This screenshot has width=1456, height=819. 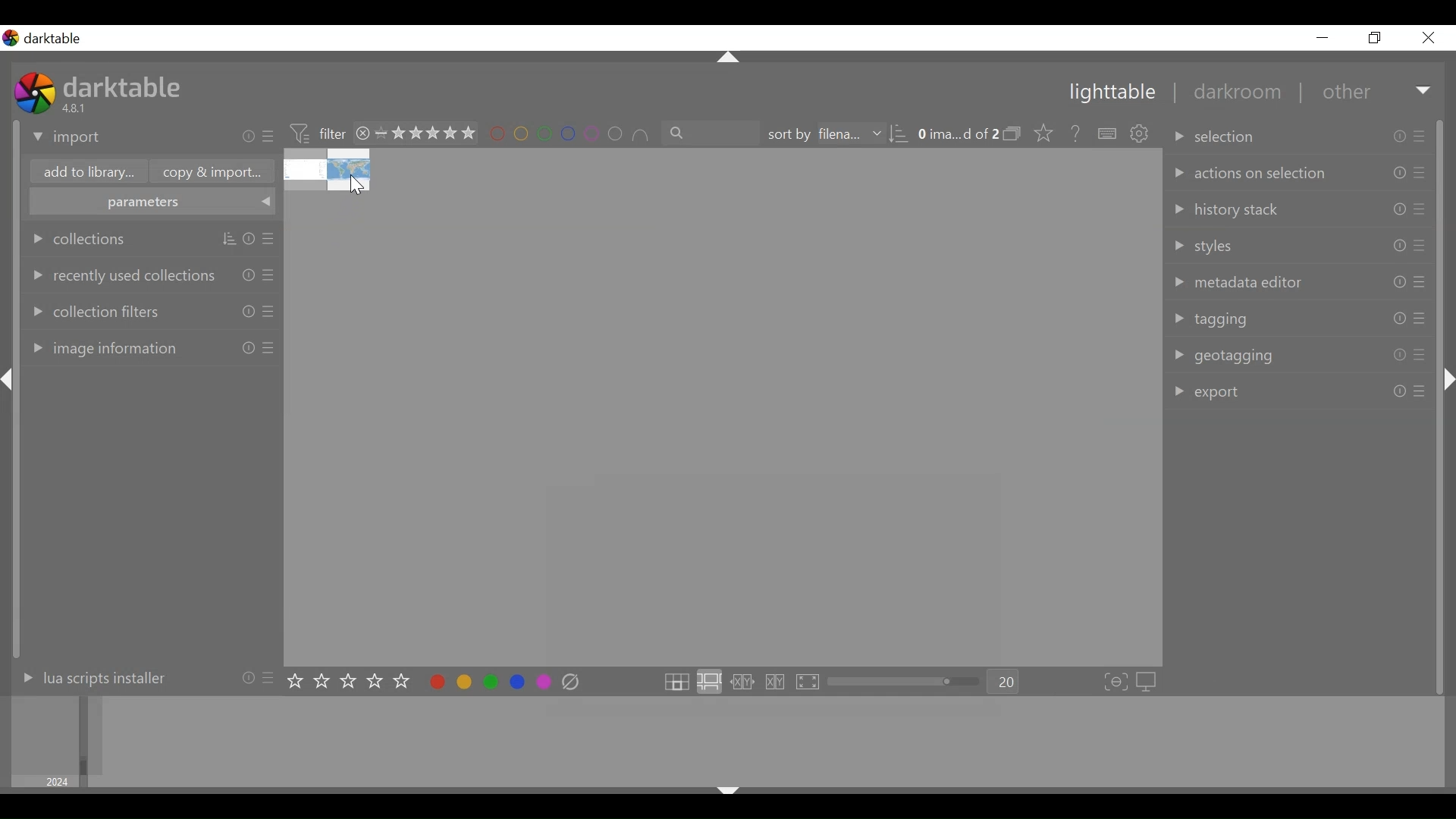 I want to click on collapse/expand grouped images, so click(x=1016, y=135).